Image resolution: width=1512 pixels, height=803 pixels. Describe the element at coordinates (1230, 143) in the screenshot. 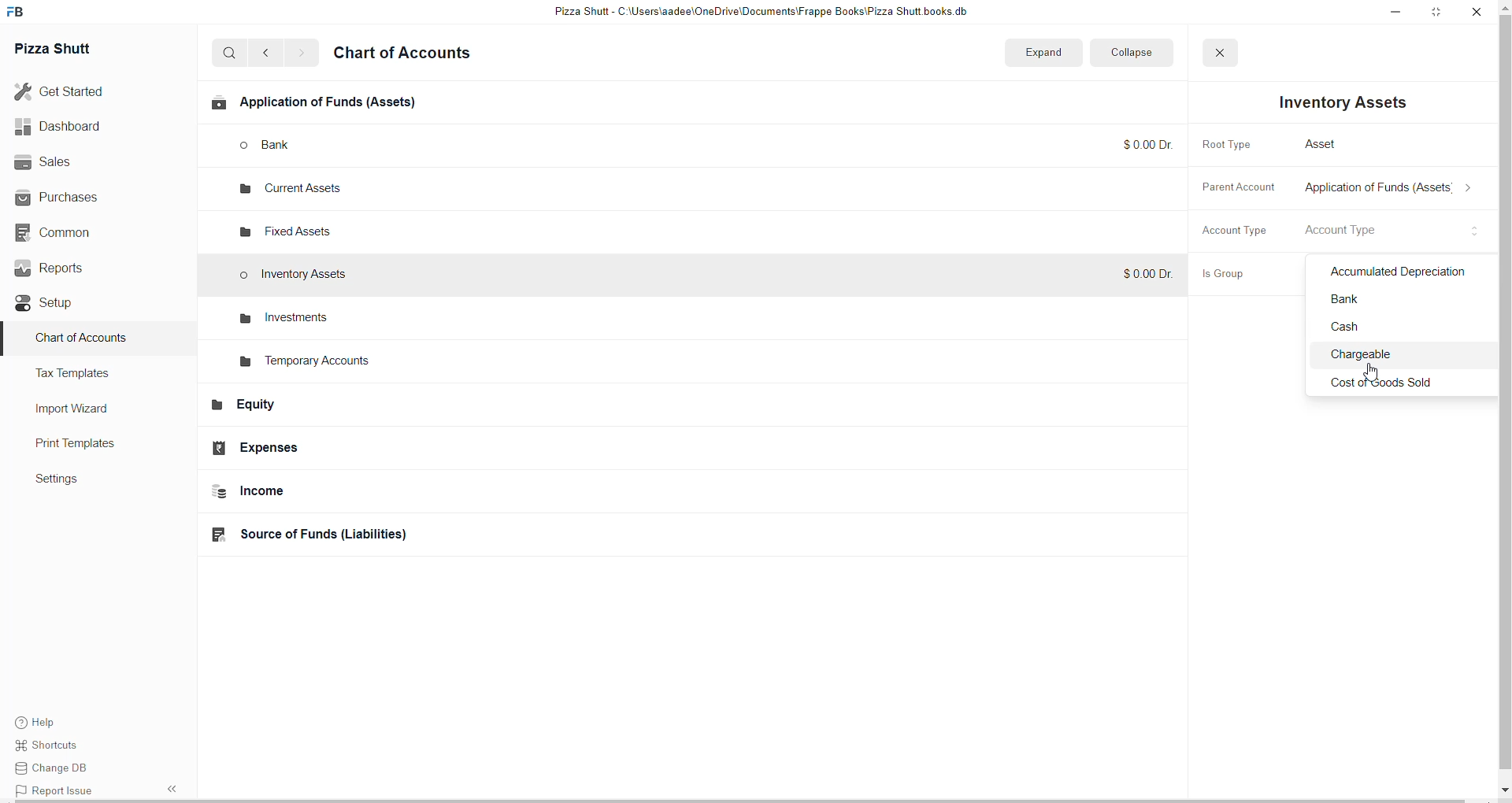

I see `Root Type ` at that location.